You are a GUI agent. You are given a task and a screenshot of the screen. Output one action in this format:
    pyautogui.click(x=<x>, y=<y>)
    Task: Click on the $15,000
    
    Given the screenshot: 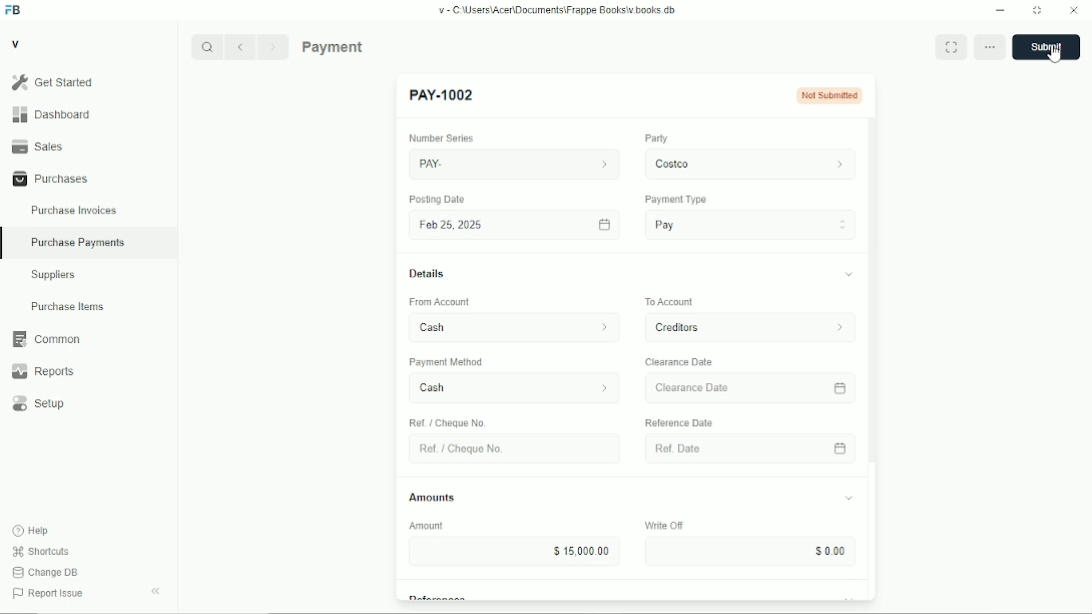 What is the action you would take?
    pyautogui.click(x=515, y=550)
    